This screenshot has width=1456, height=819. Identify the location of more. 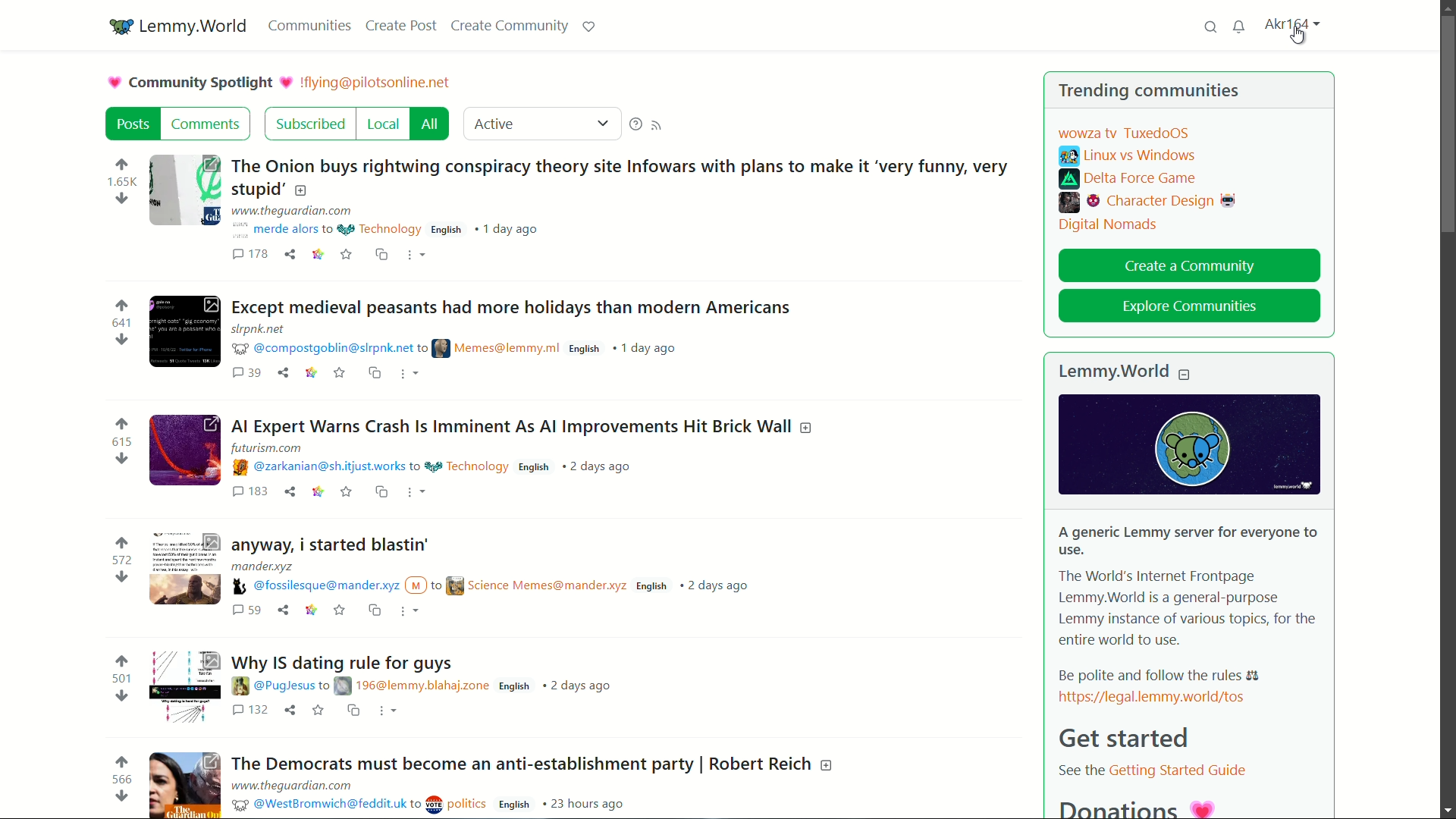
(386, 711).